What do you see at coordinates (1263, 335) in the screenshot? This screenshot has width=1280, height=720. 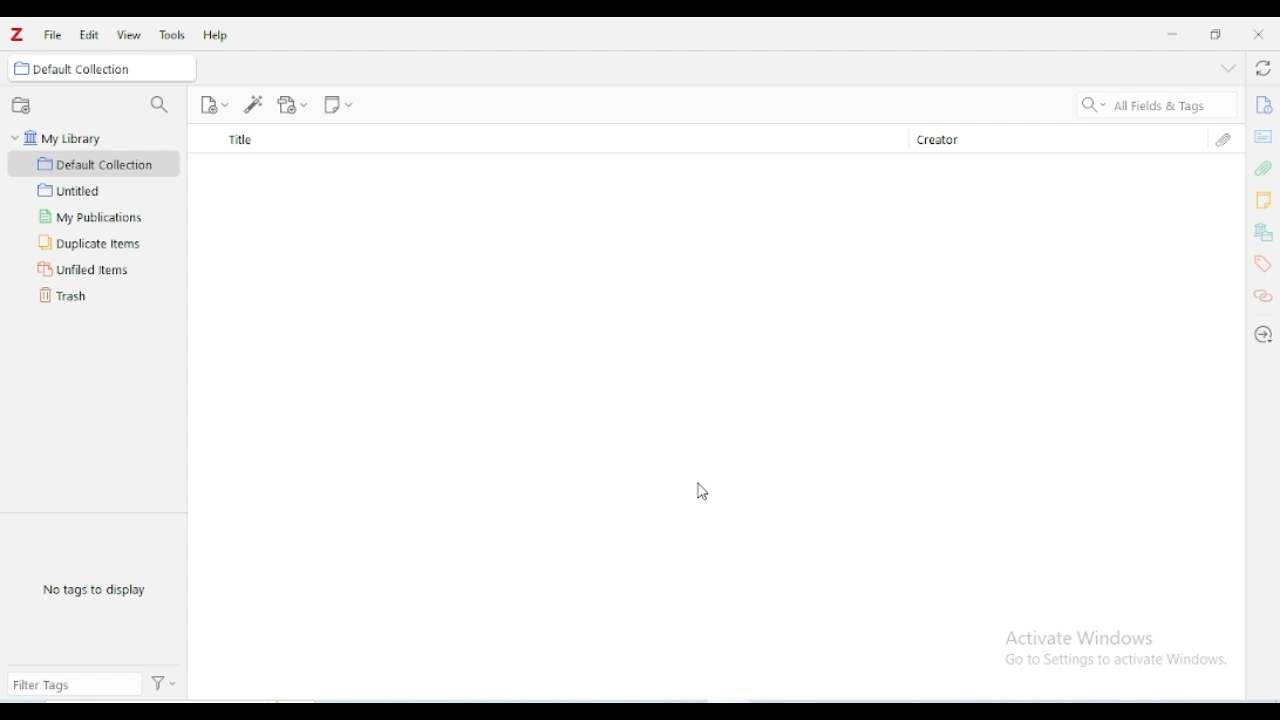 I see `locate` at bounding box center [1263, 335].